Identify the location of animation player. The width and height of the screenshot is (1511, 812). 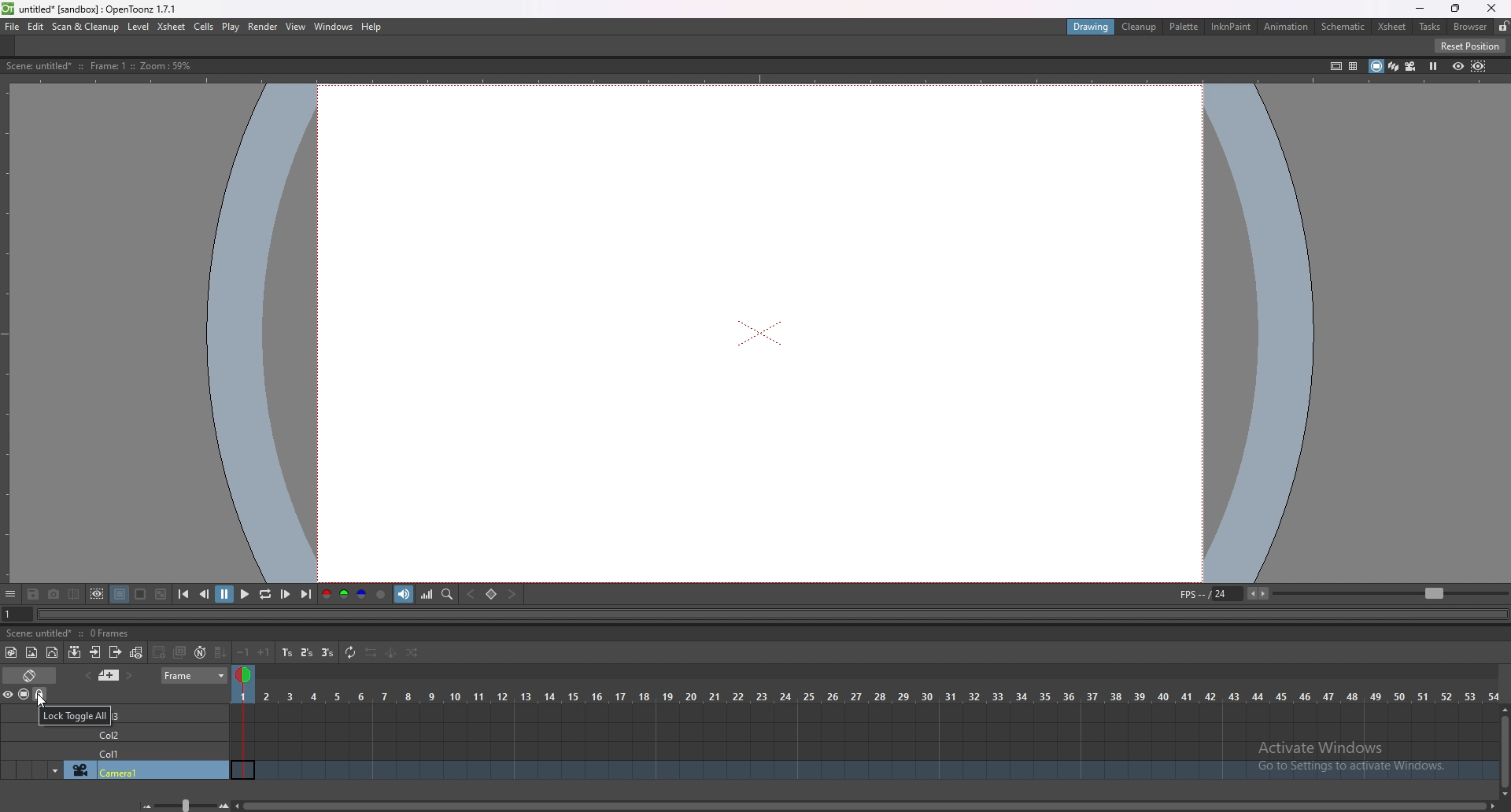
(761, 615).